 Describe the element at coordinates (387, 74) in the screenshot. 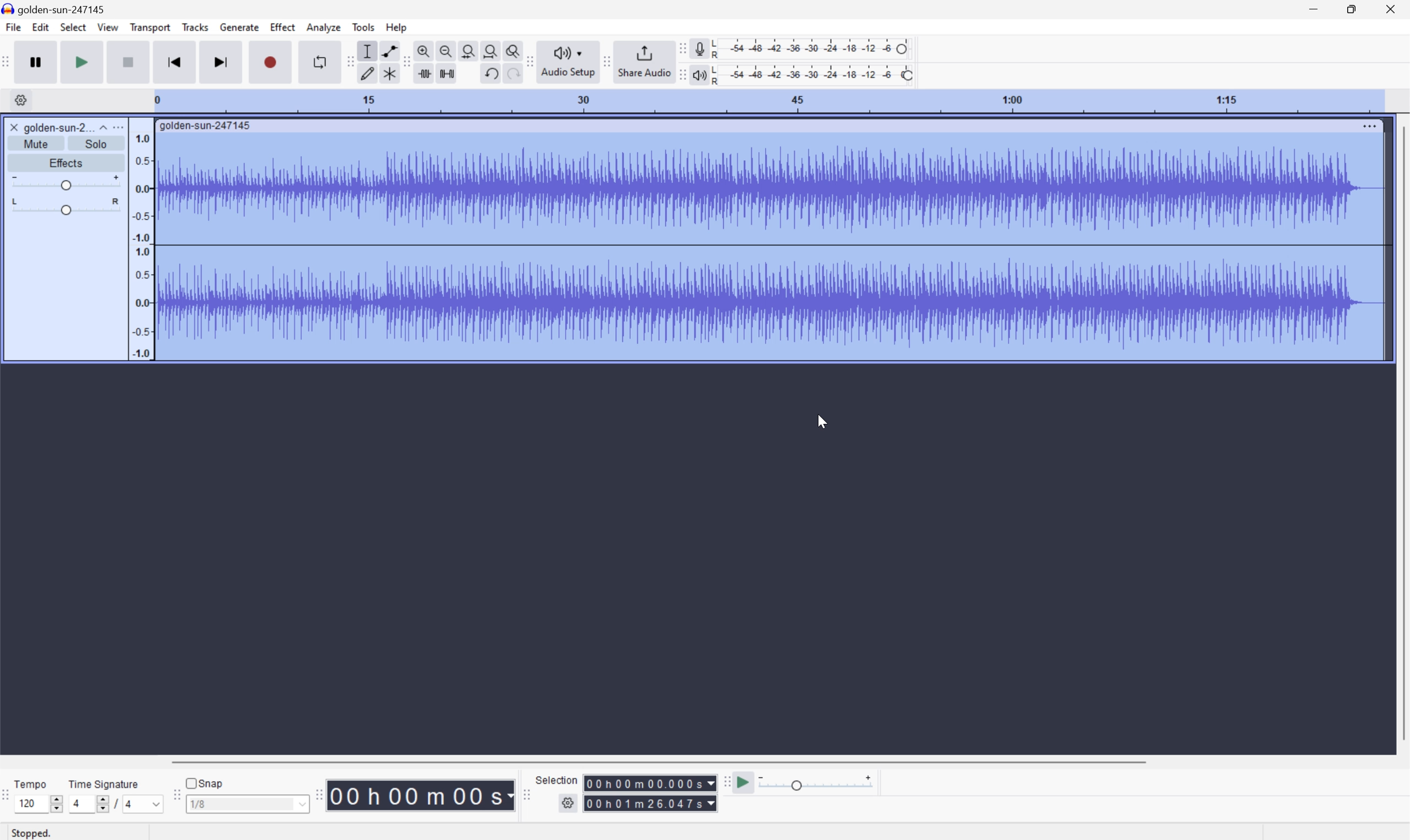

I see `Multi tool` at that location.